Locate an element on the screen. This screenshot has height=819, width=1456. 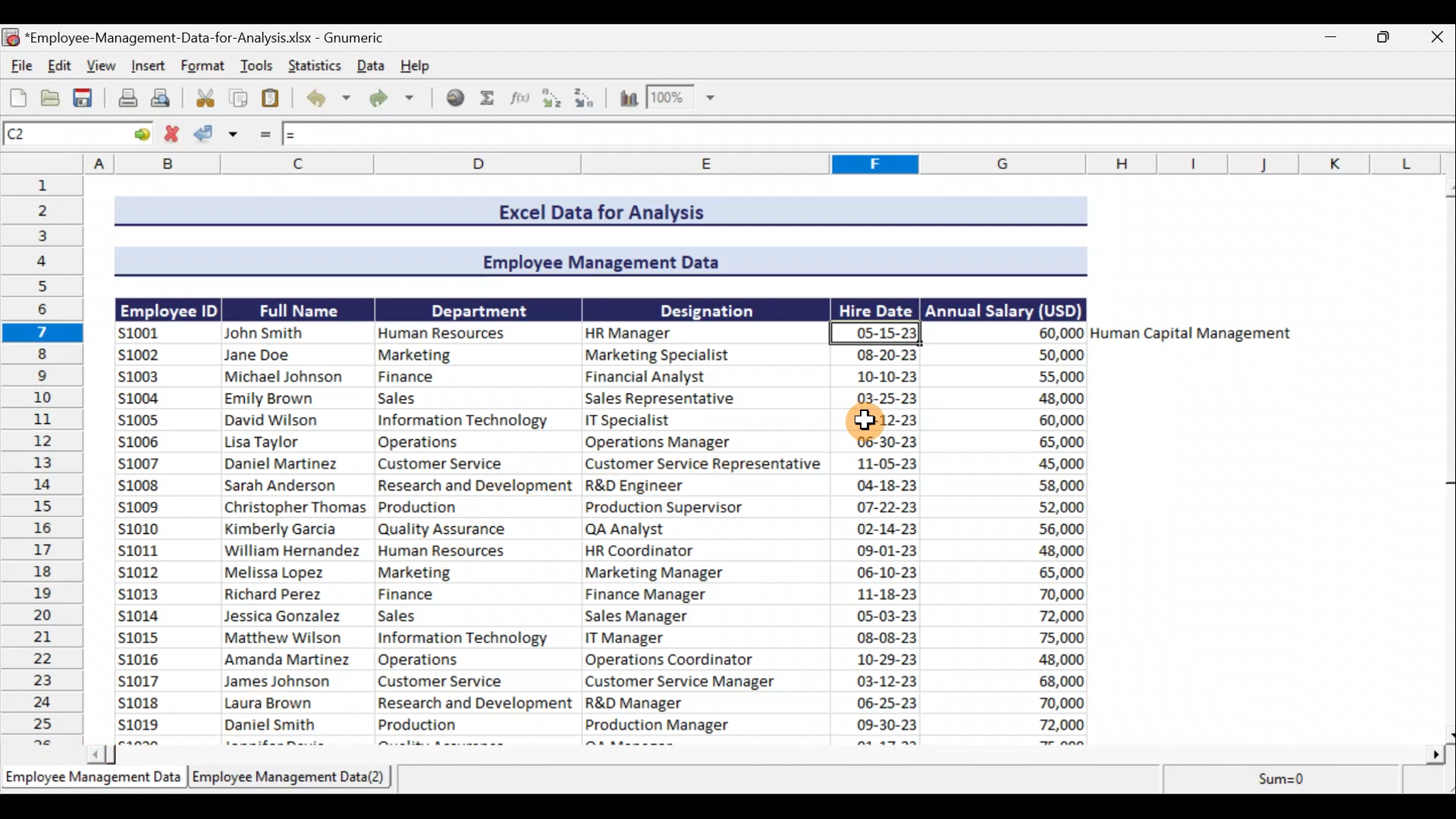
Print preview is located at coordinates (165, 99).